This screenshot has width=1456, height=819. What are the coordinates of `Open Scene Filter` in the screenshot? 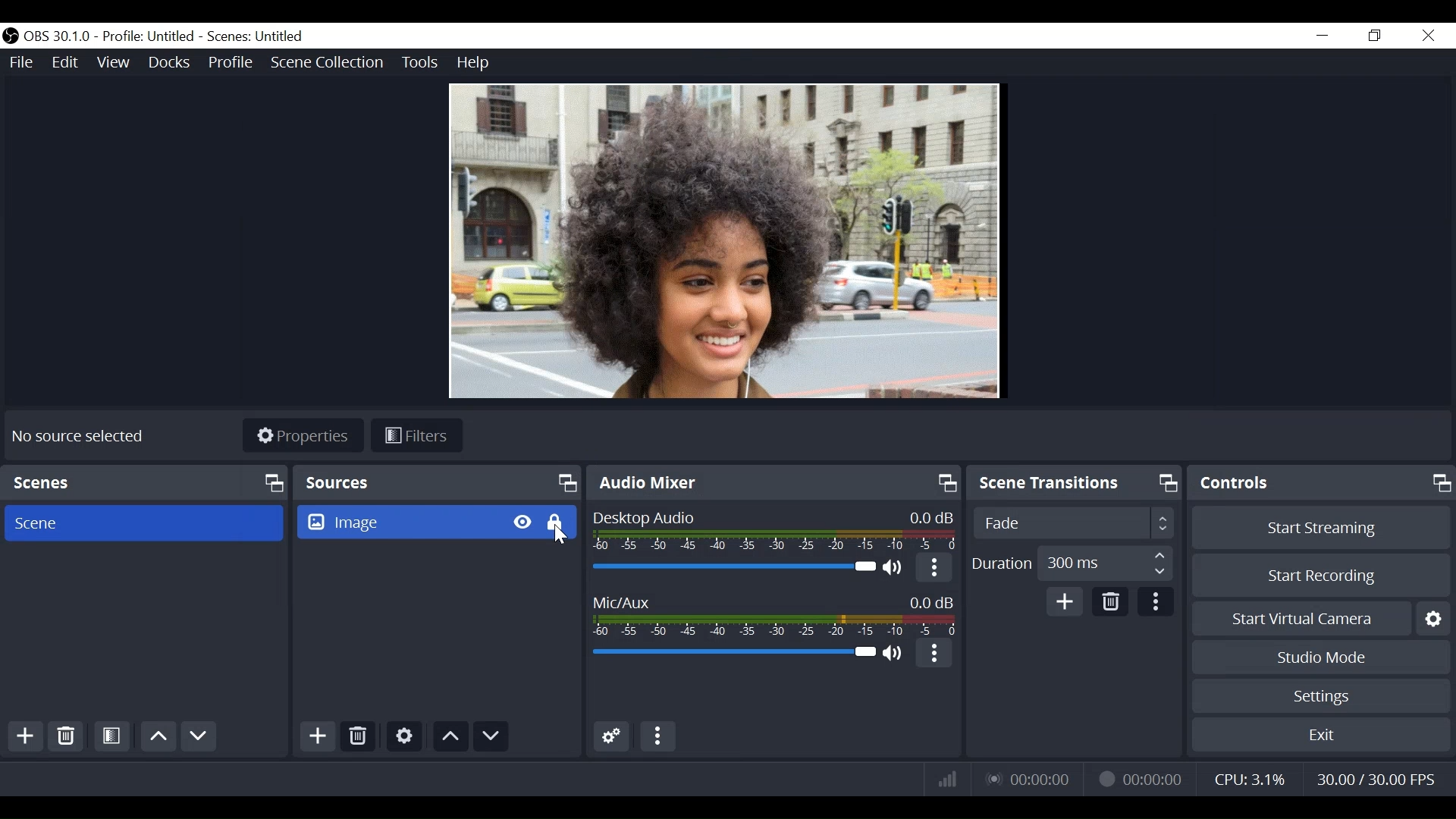 It's located at (113, 738).